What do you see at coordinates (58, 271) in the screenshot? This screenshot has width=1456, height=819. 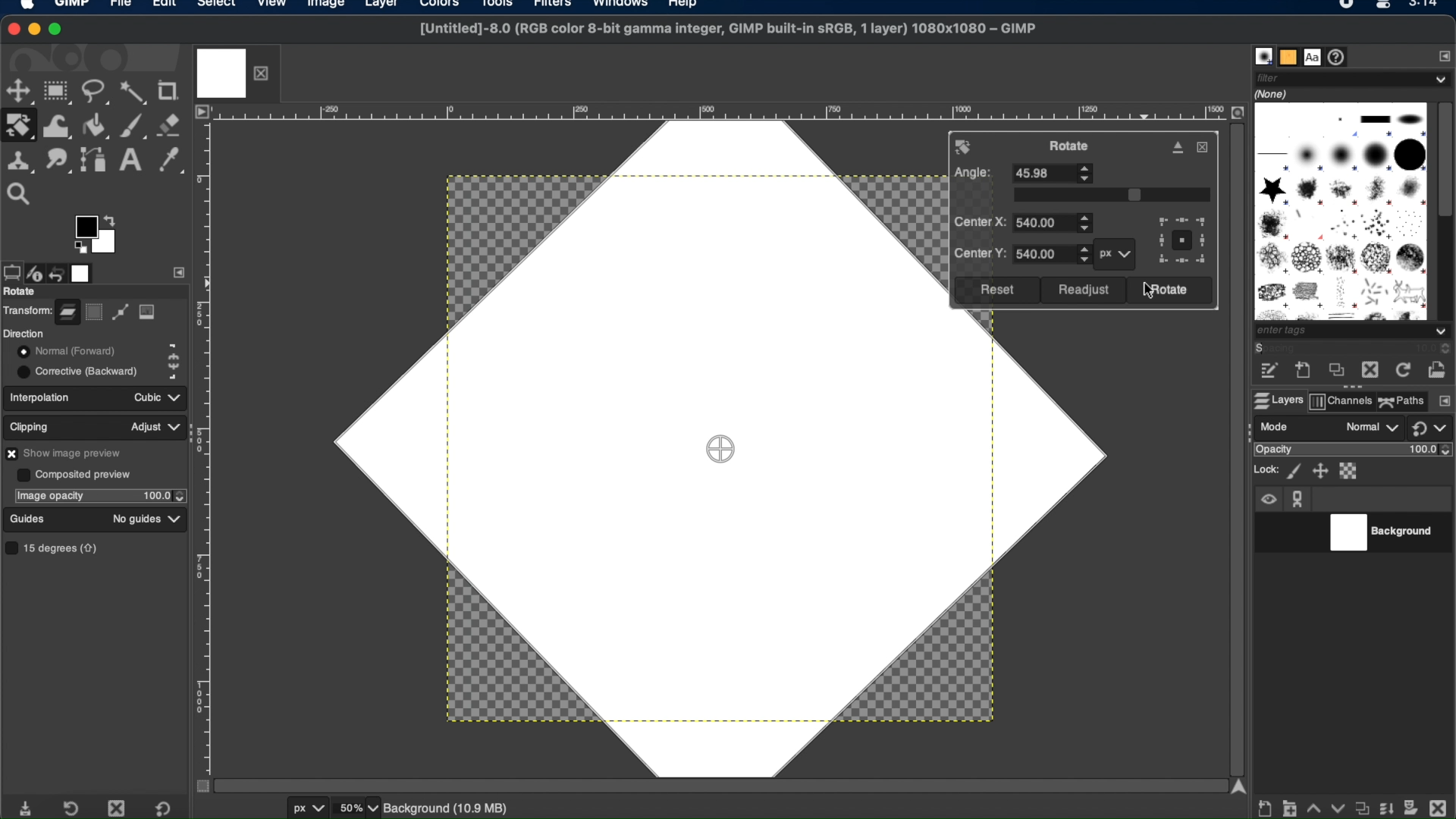 I see `undo history` at bounding box center [58, 271].